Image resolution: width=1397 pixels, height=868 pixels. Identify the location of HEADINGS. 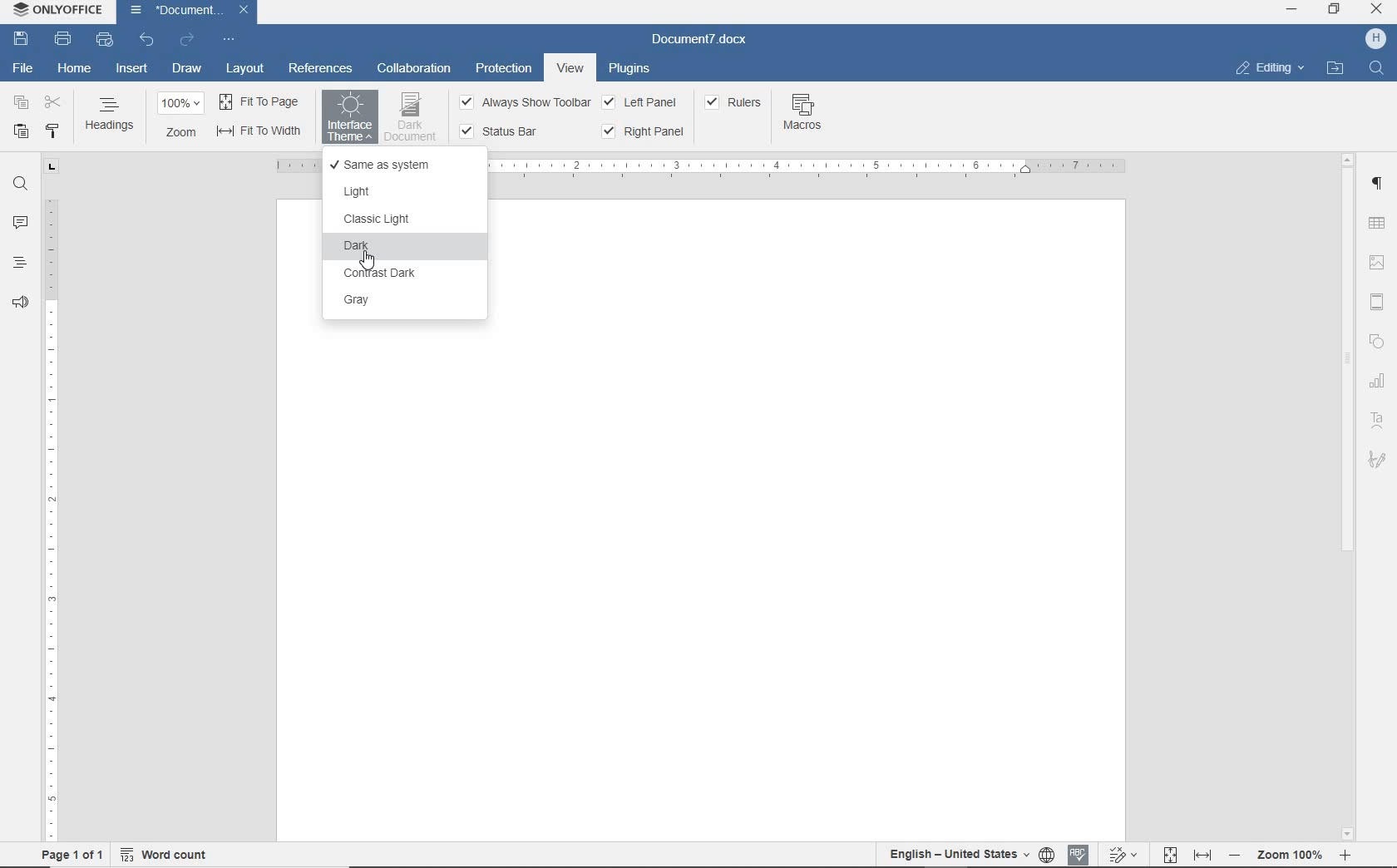
(19, 263).